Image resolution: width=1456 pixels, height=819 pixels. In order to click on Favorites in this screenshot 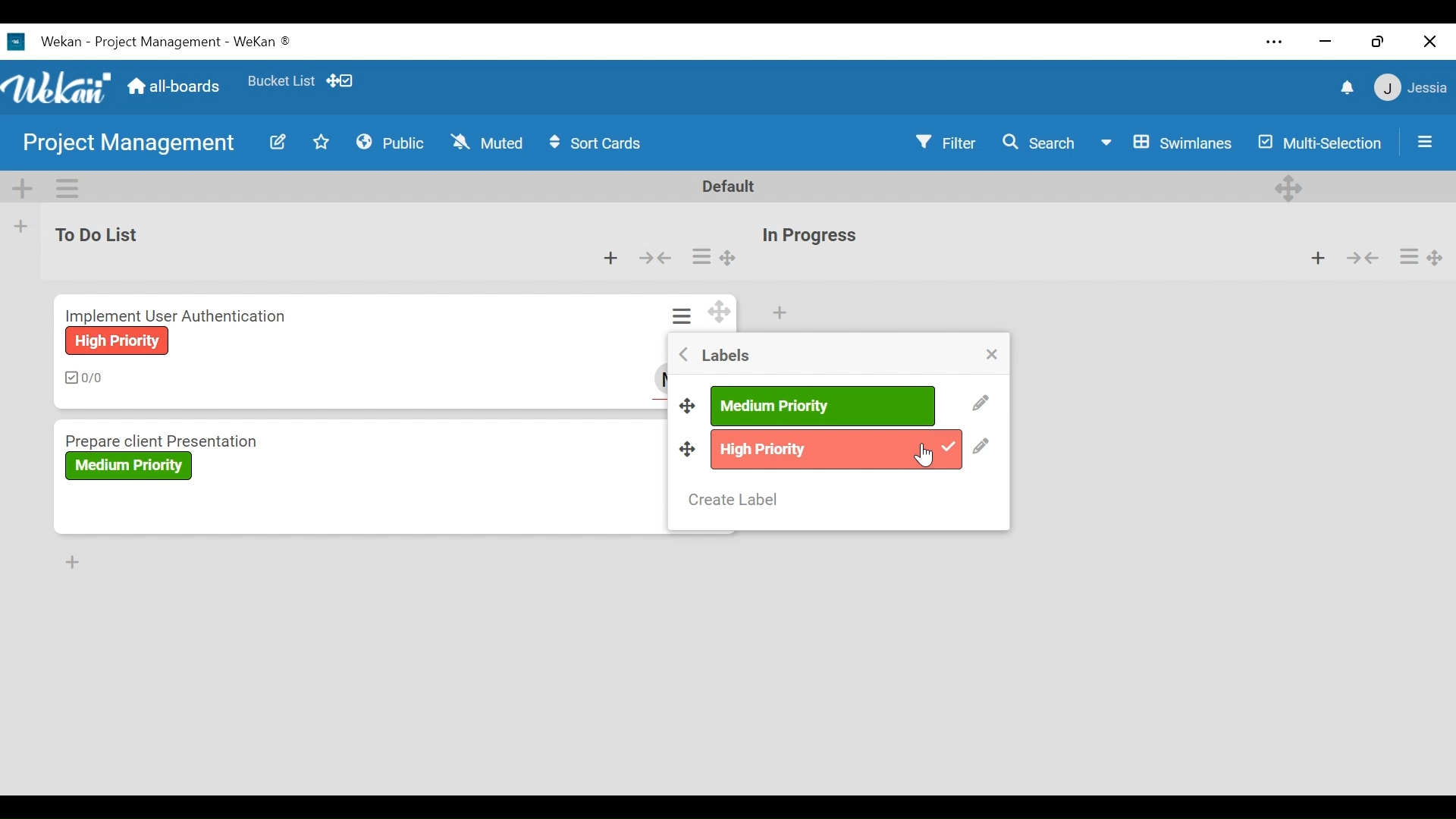, I will do `click(322, 141)`.